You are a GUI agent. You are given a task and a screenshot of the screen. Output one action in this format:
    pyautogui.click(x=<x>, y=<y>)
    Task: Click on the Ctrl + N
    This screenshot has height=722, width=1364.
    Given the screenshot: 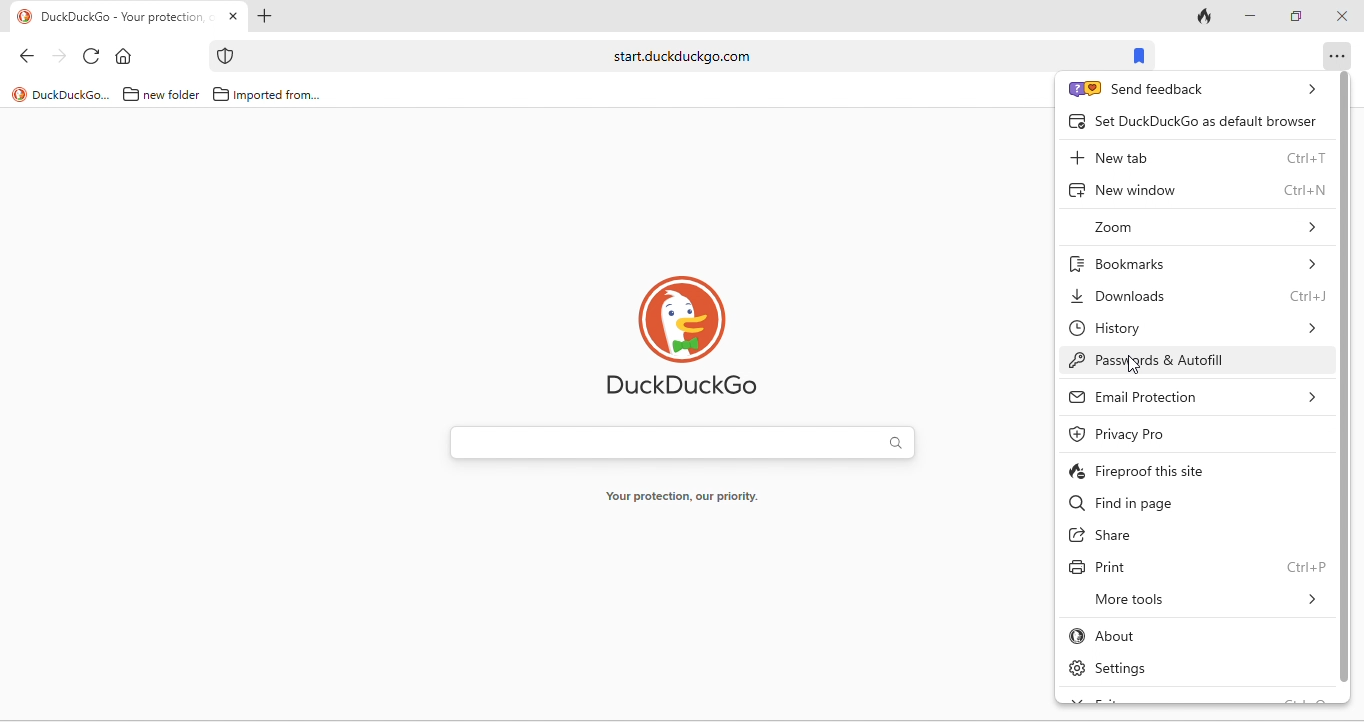 What is the action you would take?
    pyautogui.click(x=1306, y=191)
    